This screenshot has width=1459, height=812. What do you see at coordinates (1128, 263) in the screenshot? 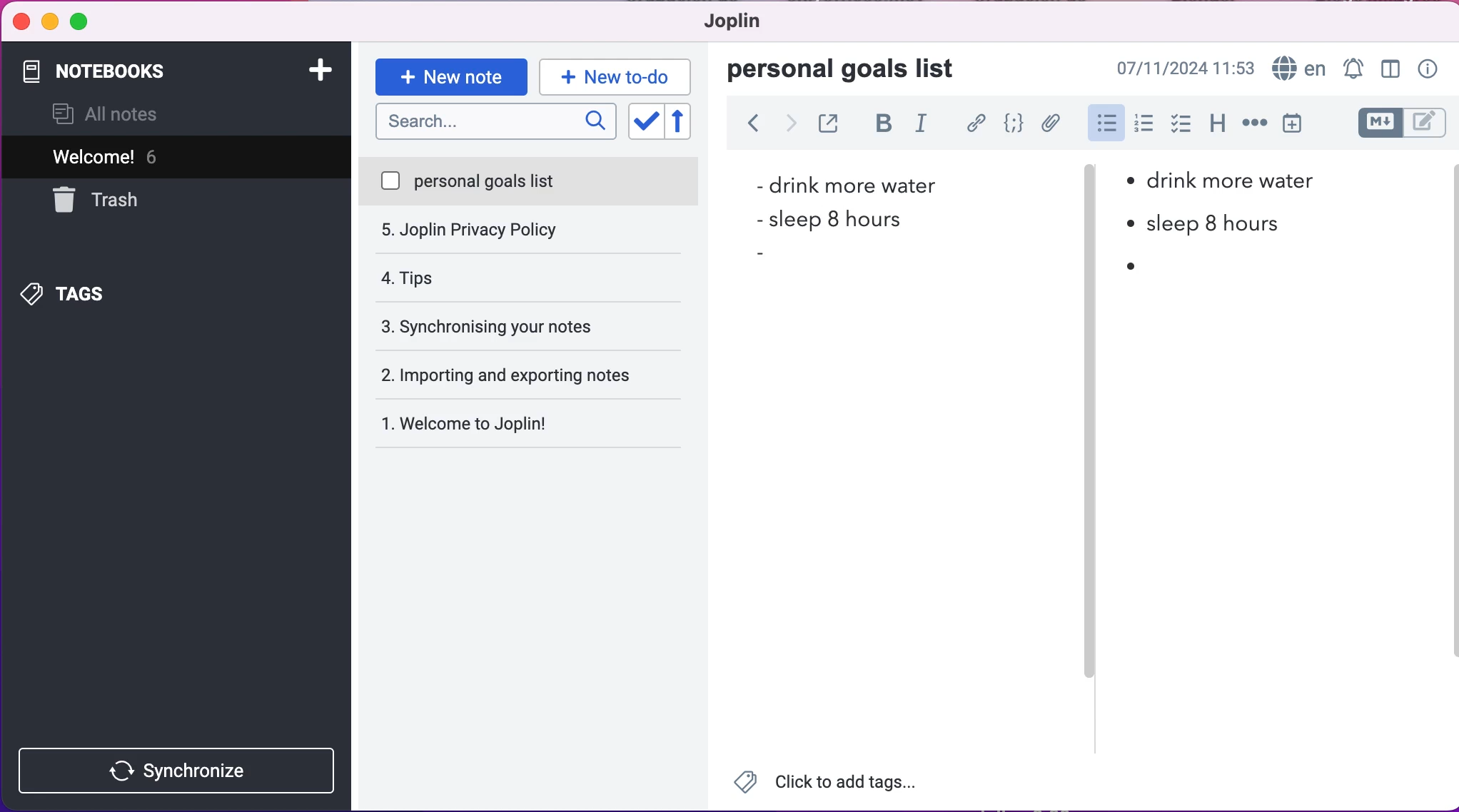
I see `bullet point 3` at bounding box center [1128, 263].